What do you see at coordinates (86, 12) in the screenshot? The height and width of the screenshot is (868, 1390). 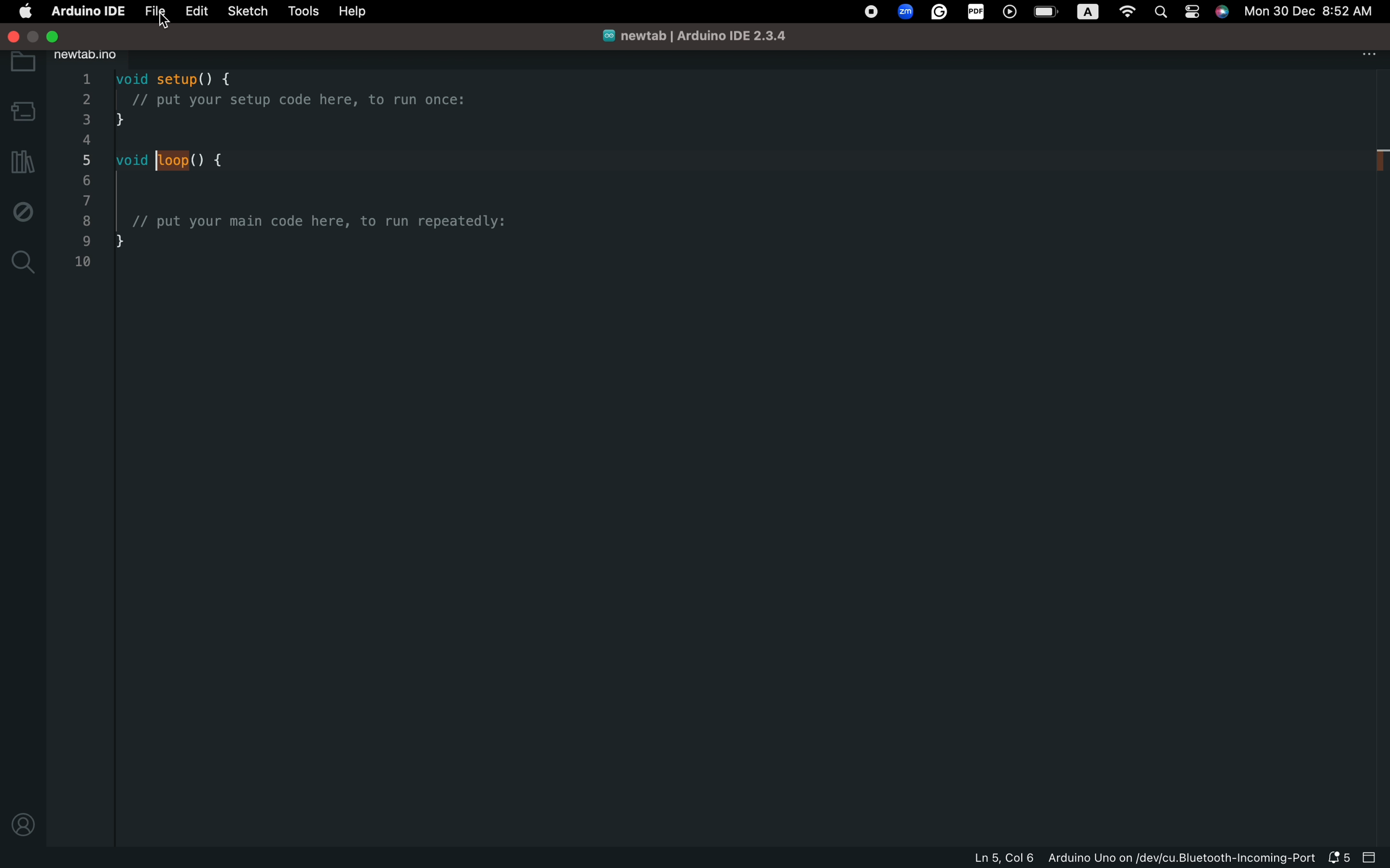 I see `arduino` at bounding box center [86, 12].